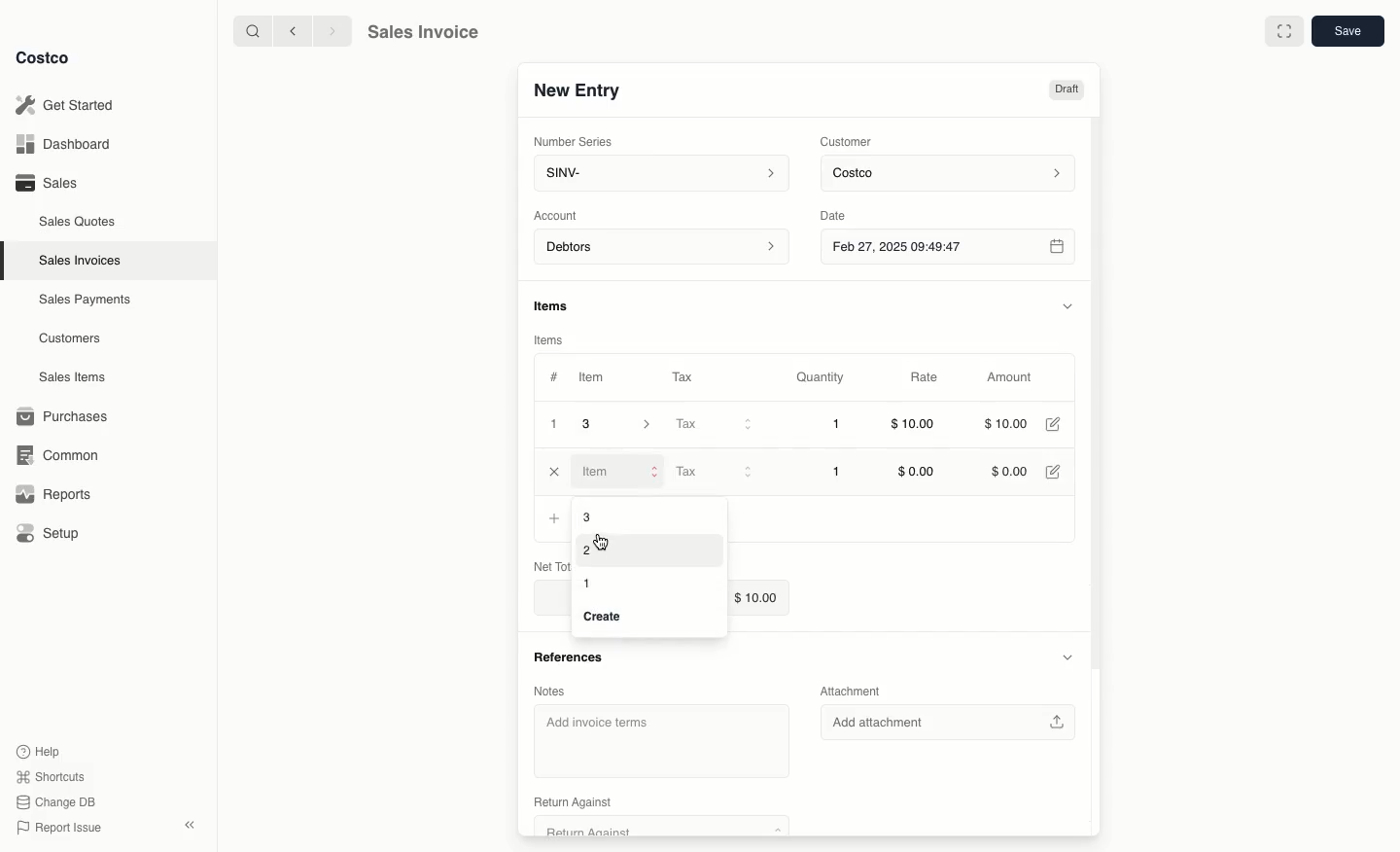 This screenshot has height=852, width=1400. Describe the element at coordinates (854, 692) in the screenshot. I see `Attachment` at that location.